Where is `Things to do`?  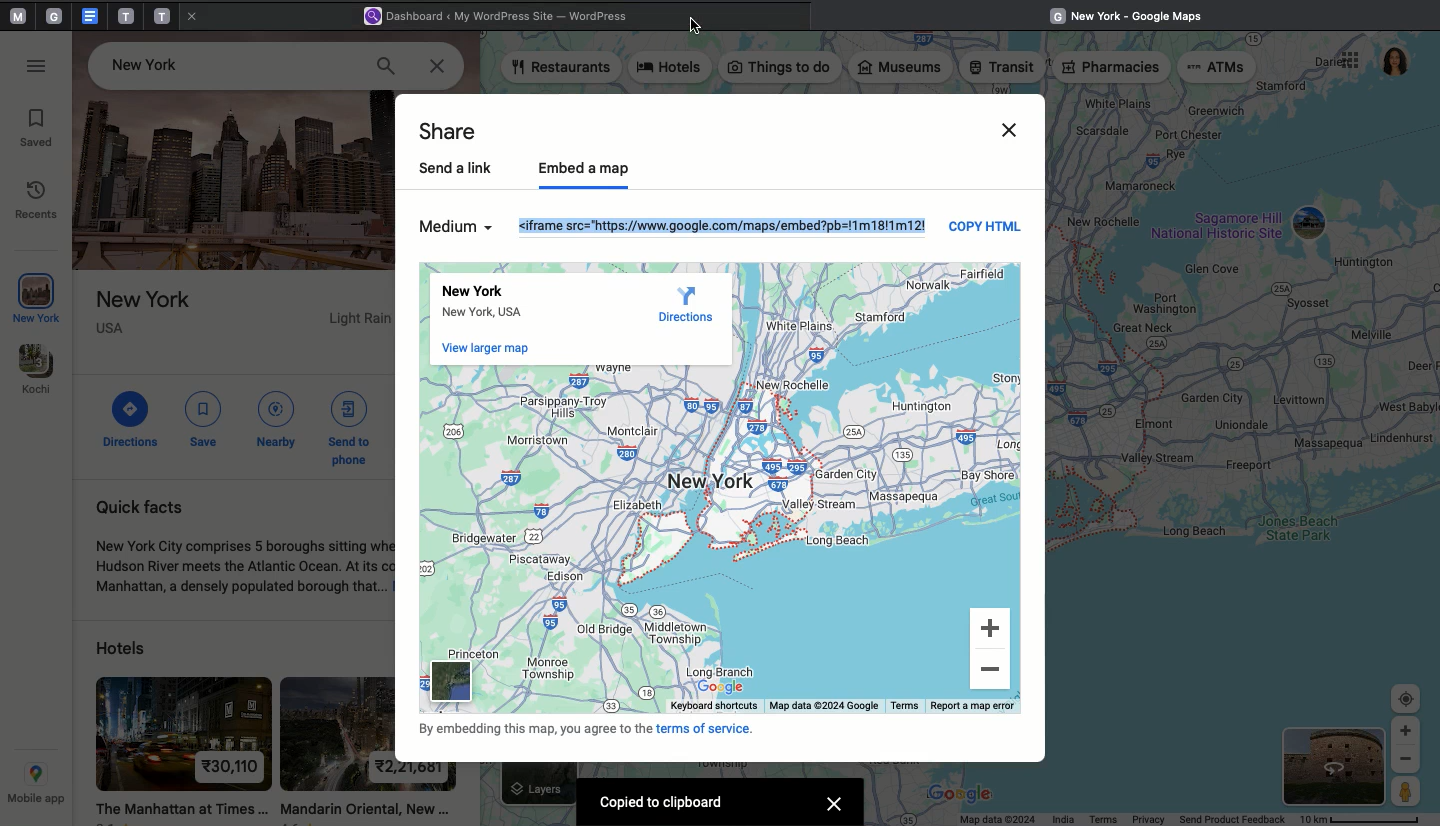
Things to do is located at coordinates (780, 68).